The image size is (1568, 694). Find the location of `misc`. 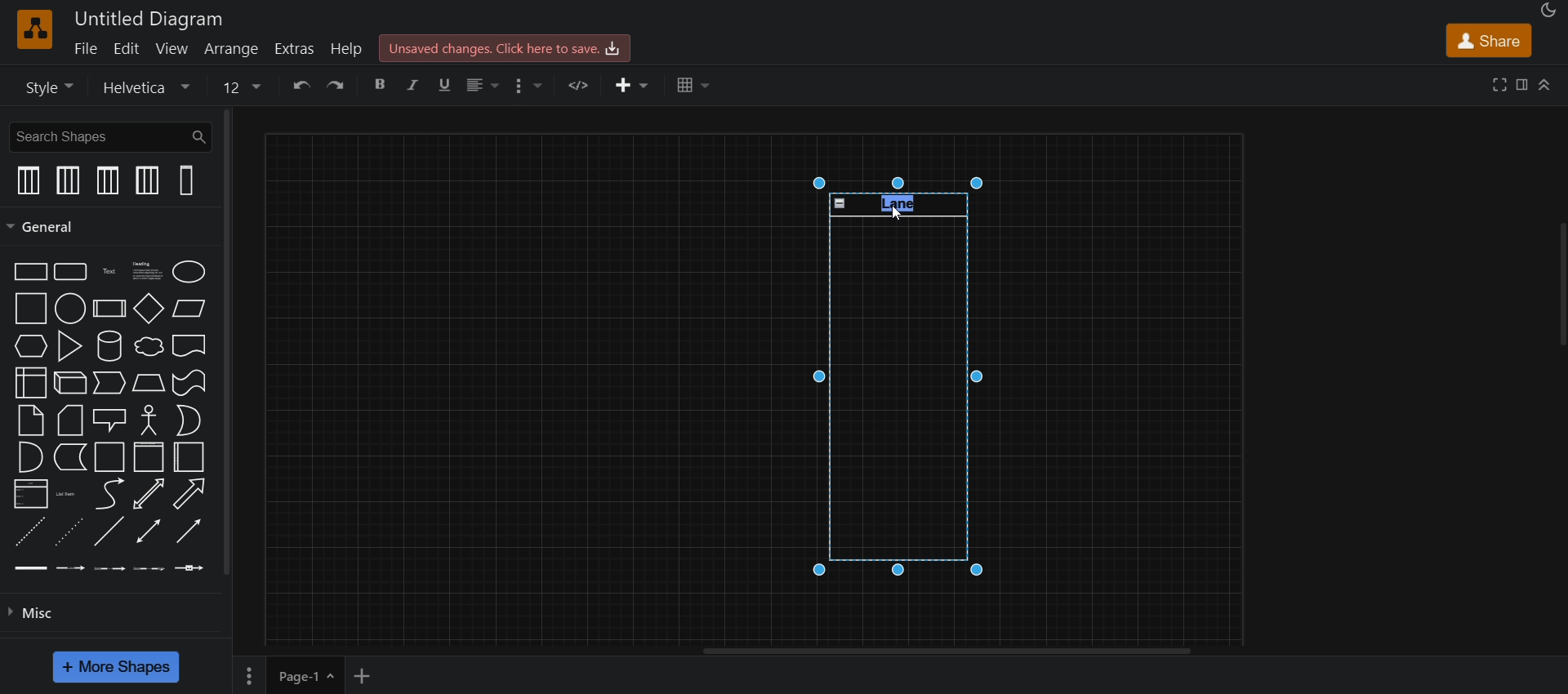

misc is located at coordinates (31, 617).